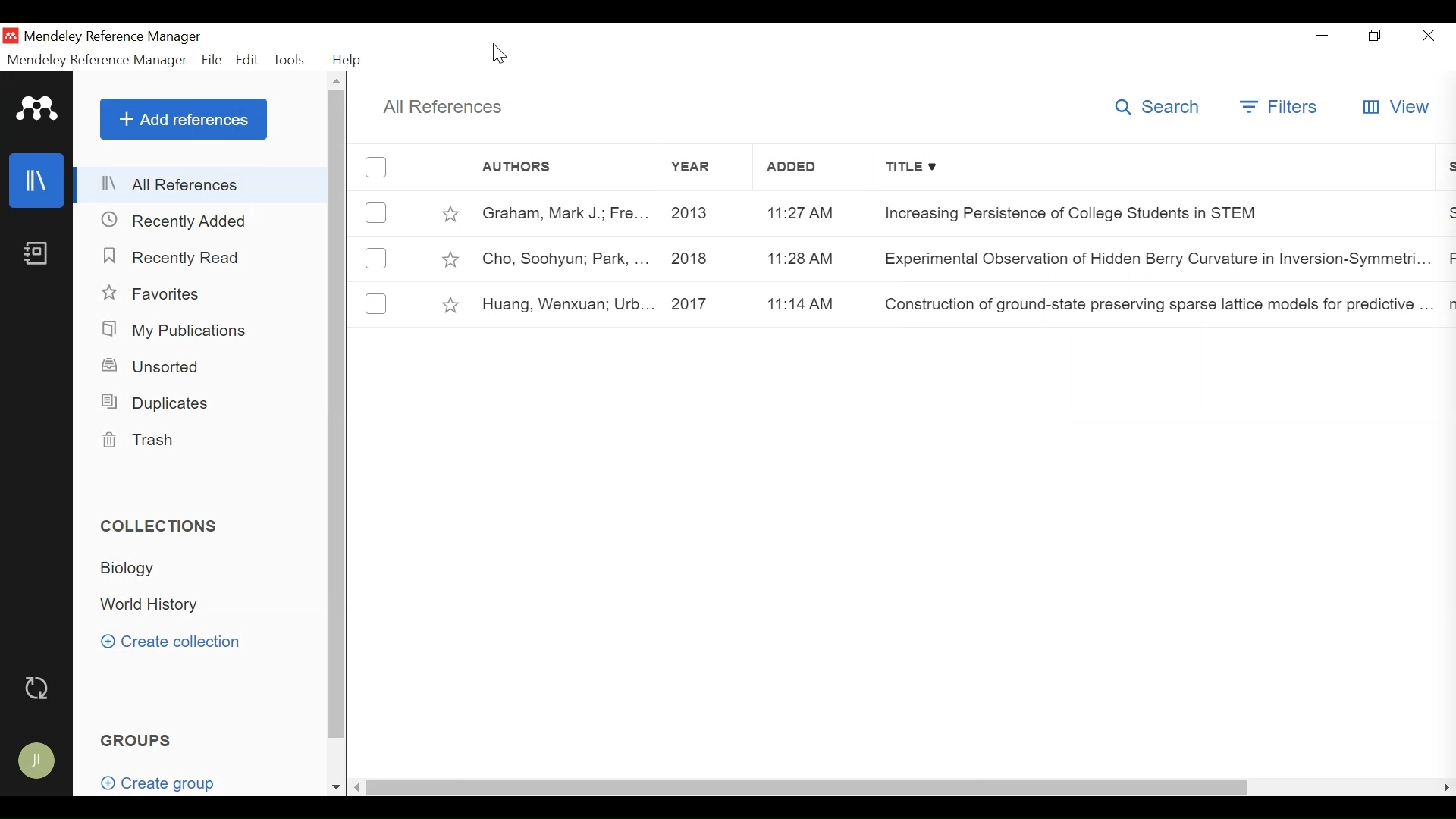  Describe the element at coordinates (38, 108) in the screenshot. I see `Mendeley Logo` at that location.